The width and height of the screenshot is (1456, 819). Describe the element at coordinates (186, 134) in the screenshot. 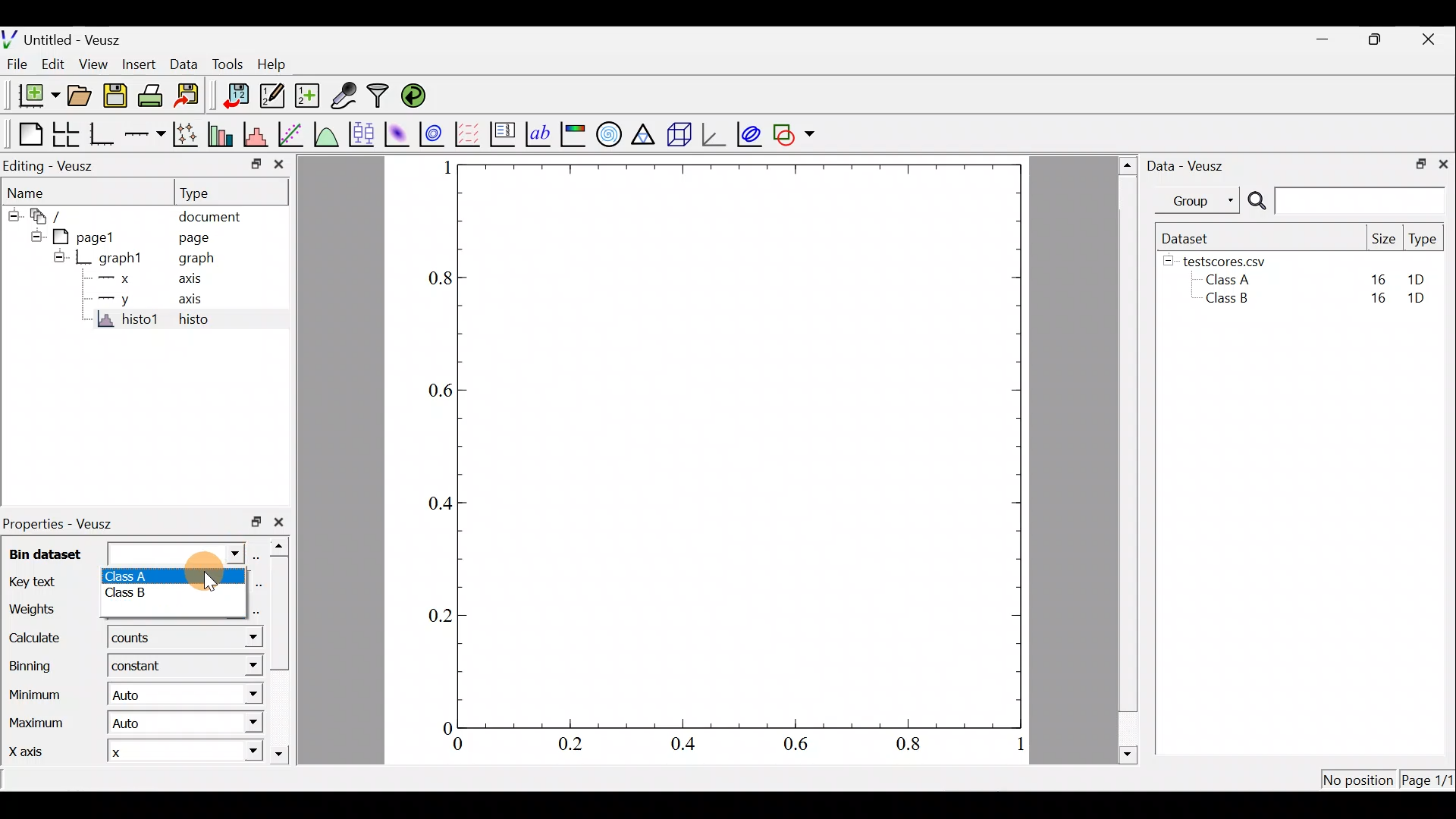

I see `Plot points with lines and error bars` at that location.